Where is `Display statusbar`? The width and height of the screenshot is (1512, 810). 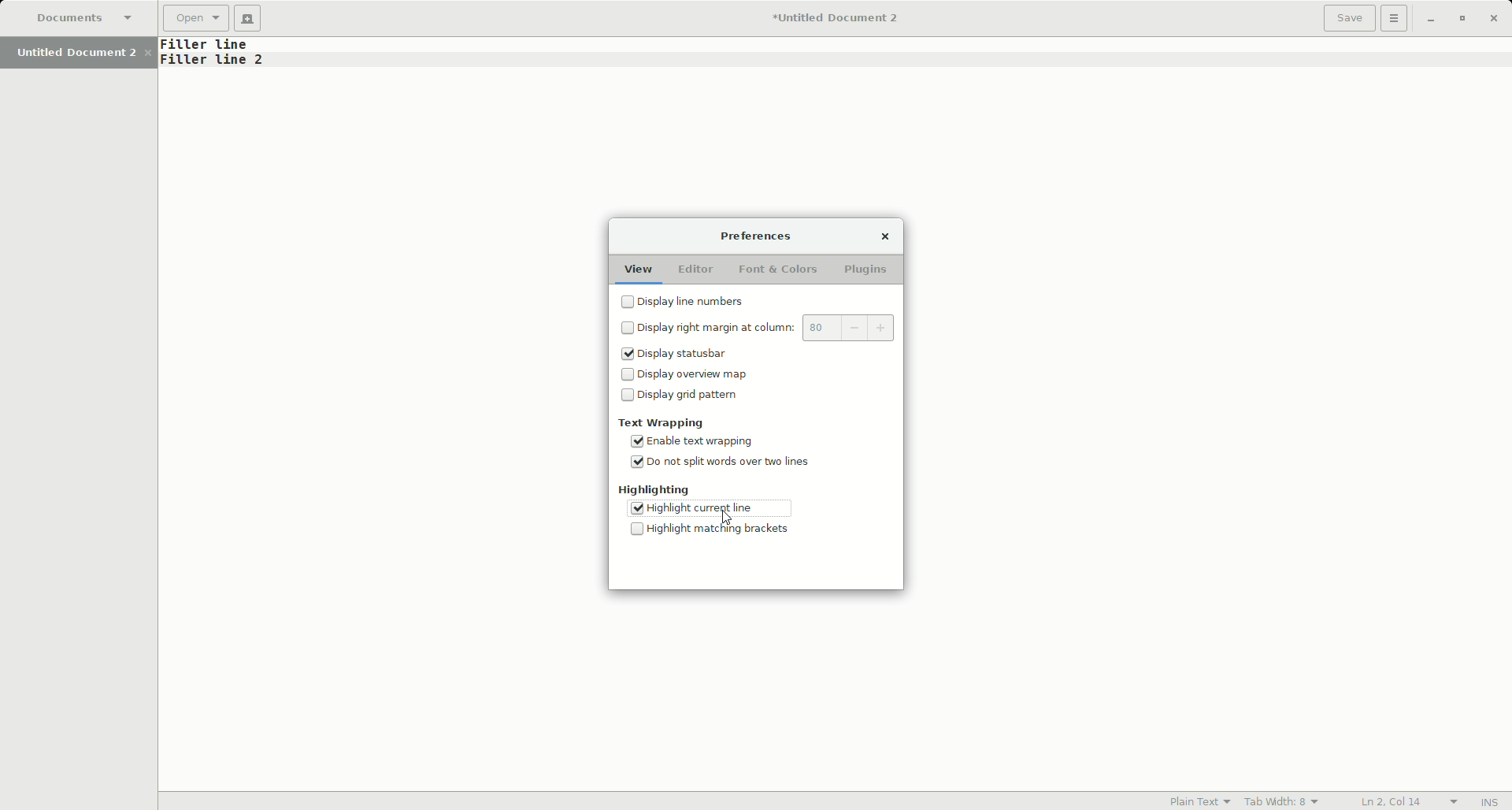
Display statusbar is located at coordinates (681, 355).